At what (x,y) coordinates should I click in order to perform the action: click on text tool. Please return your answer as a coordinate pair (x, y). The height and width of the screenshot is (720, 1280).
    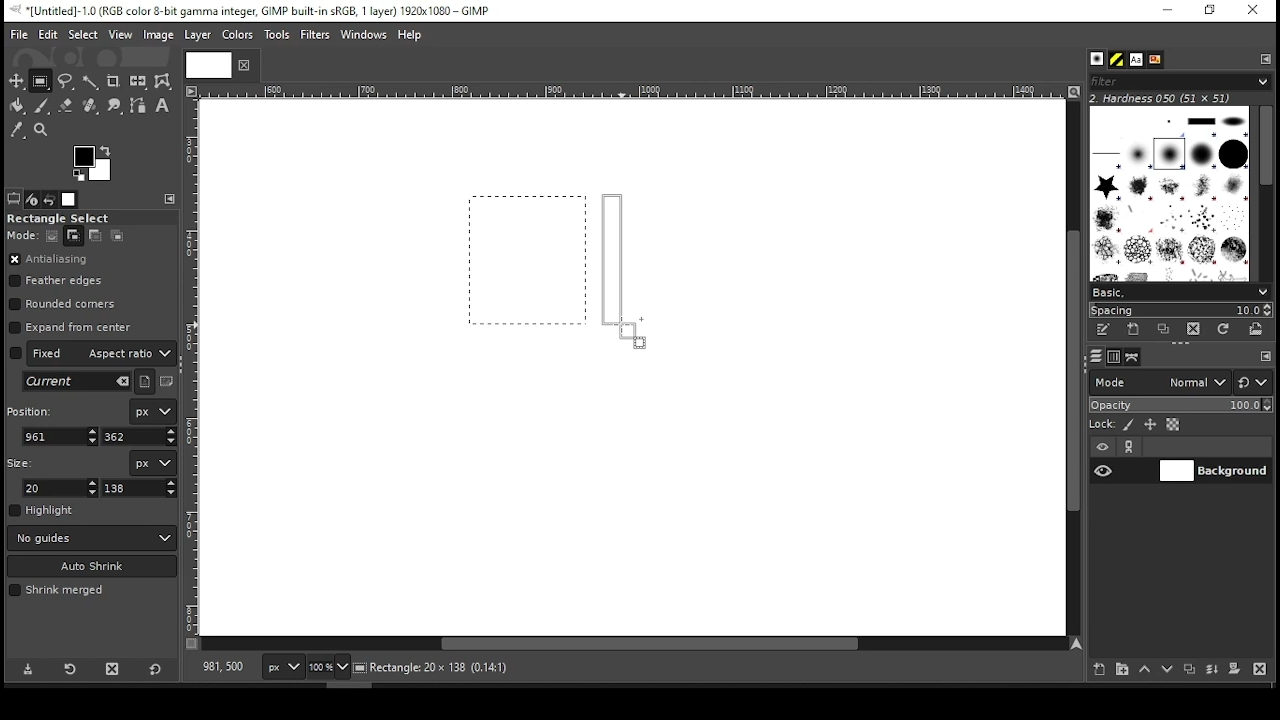
    Looking at the image, I should click on (162, 107).